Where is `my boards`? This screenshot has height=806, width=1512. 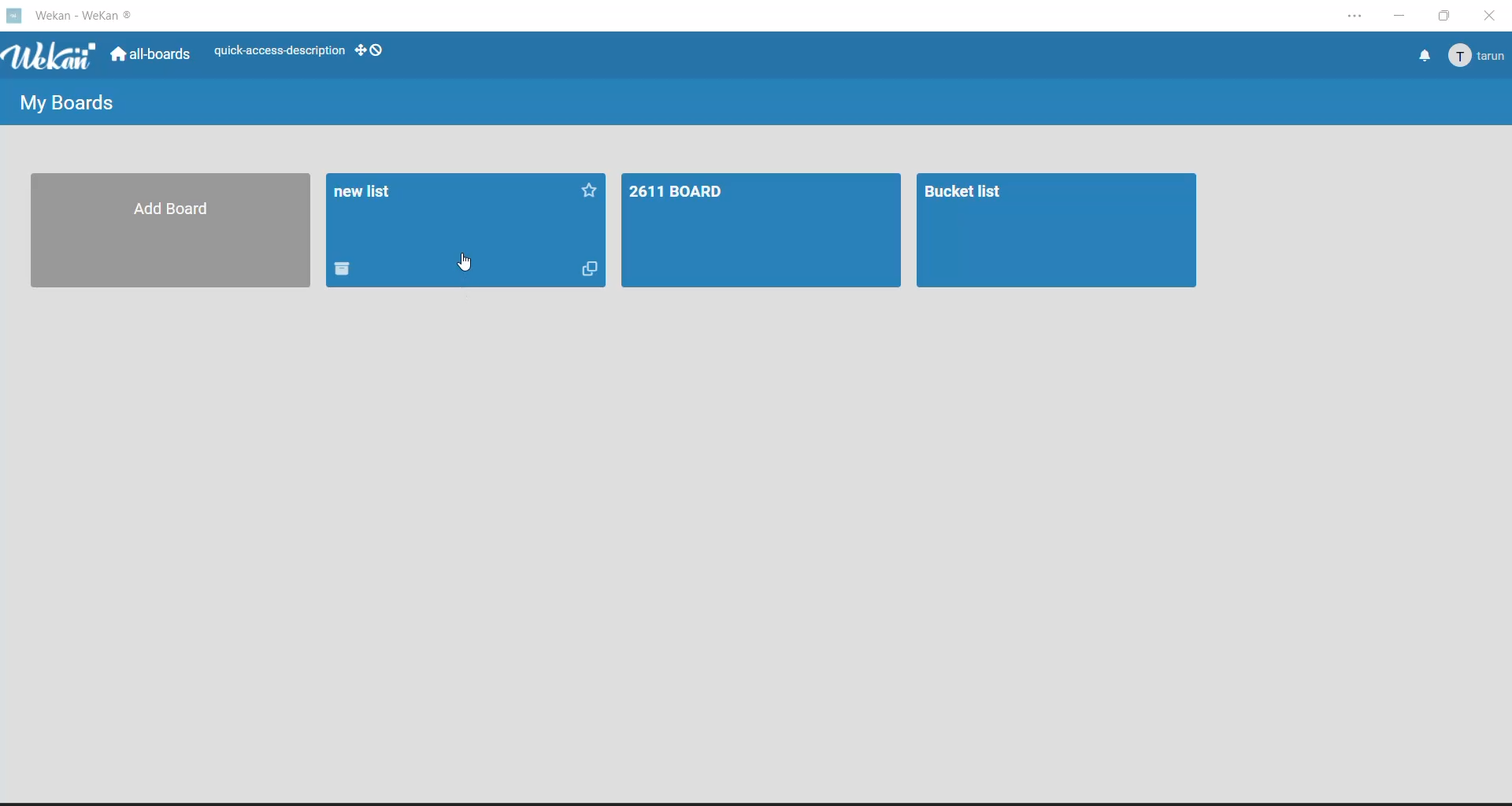 my boards is located at coordinates (65, 105).